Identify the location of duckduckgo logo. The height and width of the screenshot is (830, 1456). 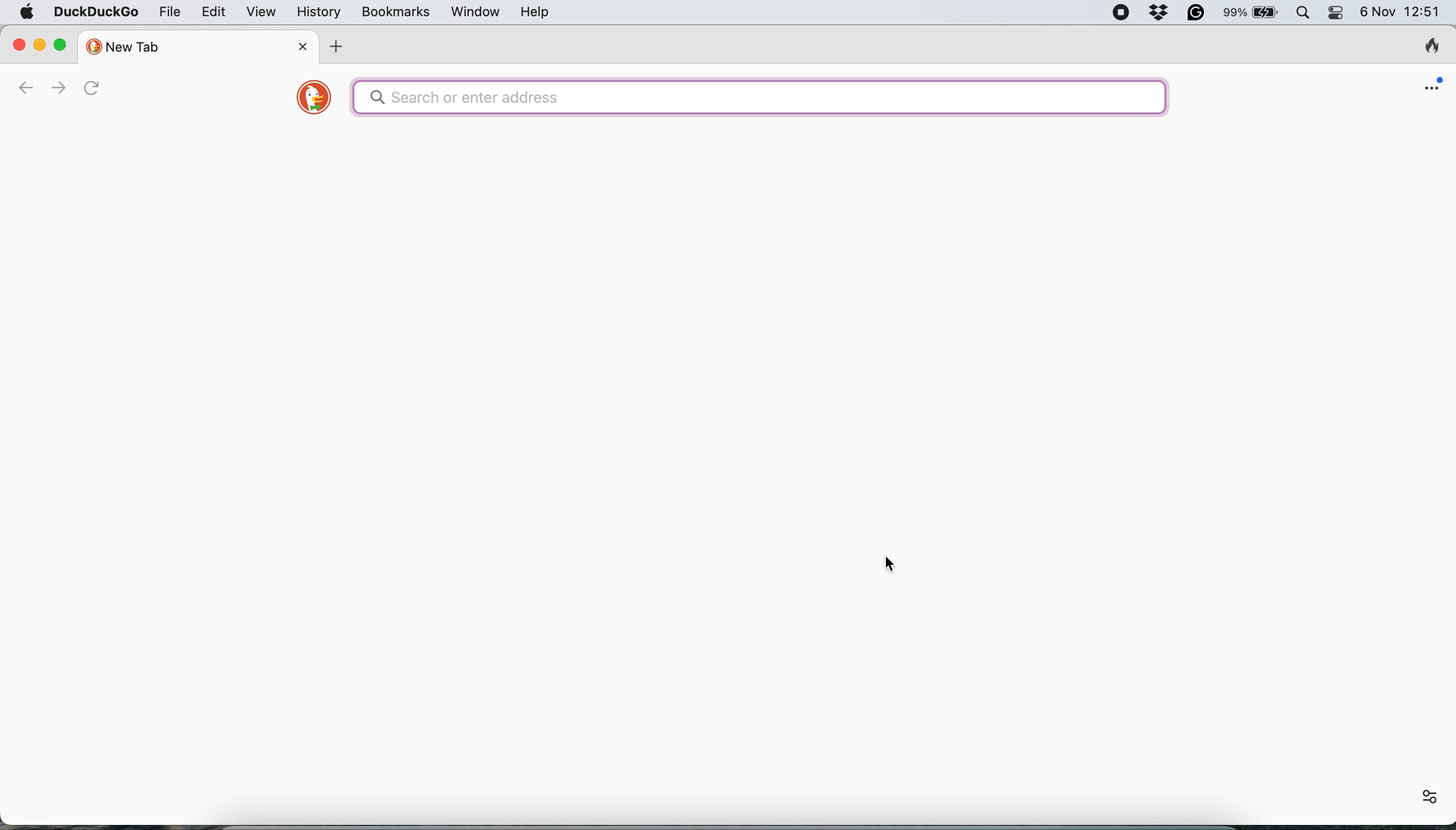
(314, 99).